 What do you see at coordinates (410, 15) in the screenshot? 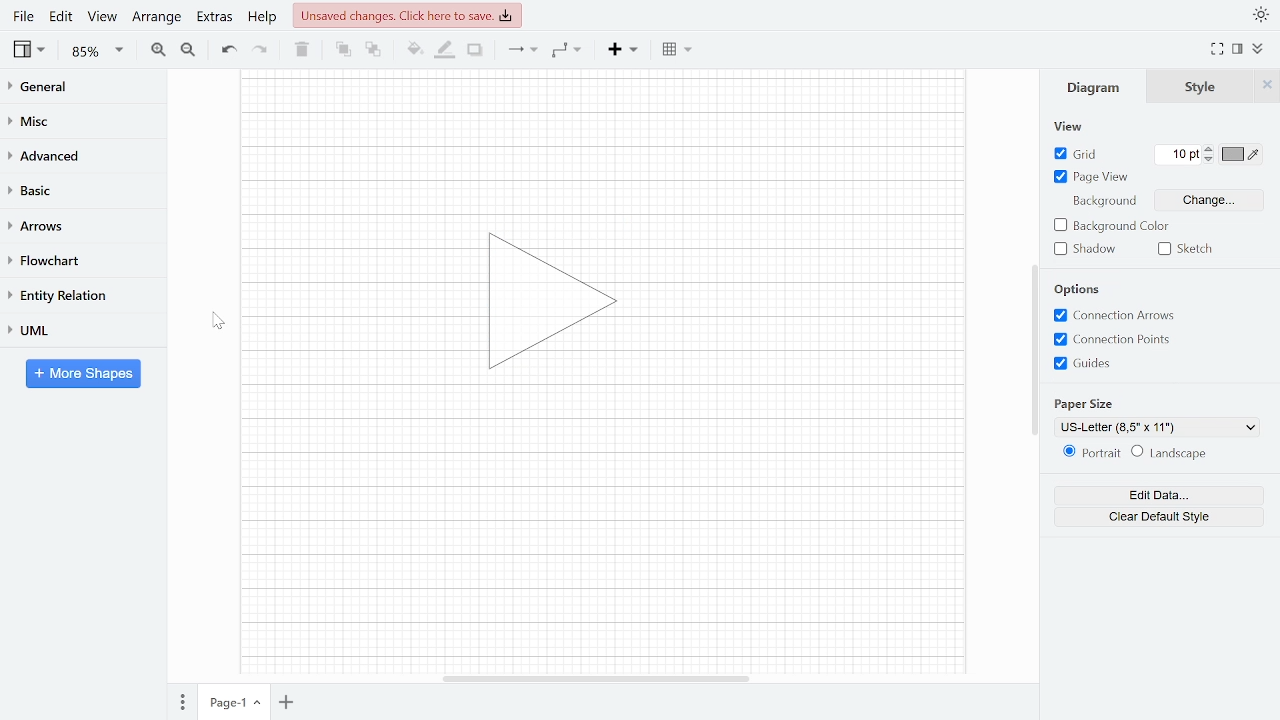
I see `Unsaved changes. Click here to save` at bounding box center [410, 15].